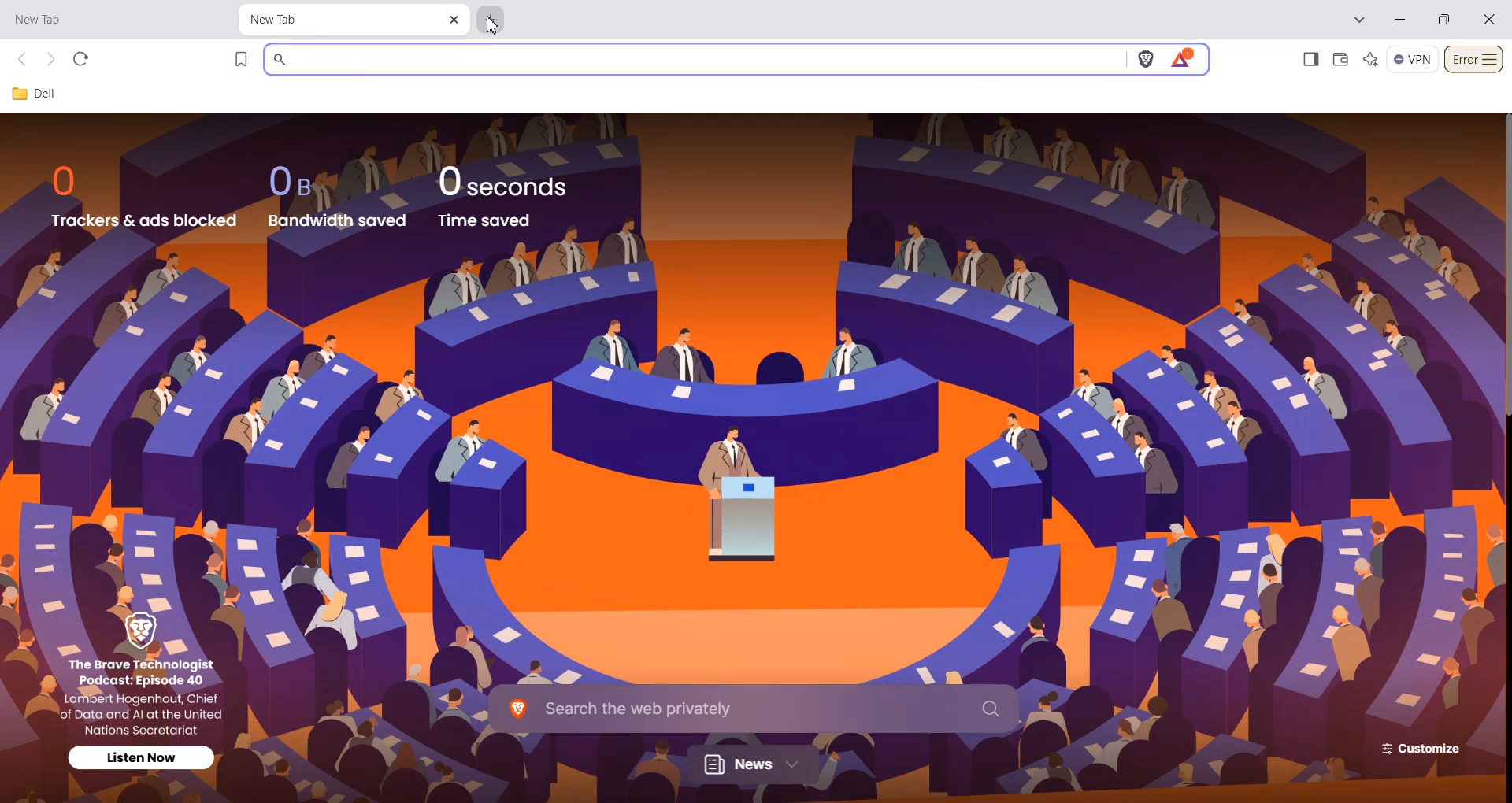 The image size is (1512, 803). I want to click on Leo AI, so click(1371, 60).